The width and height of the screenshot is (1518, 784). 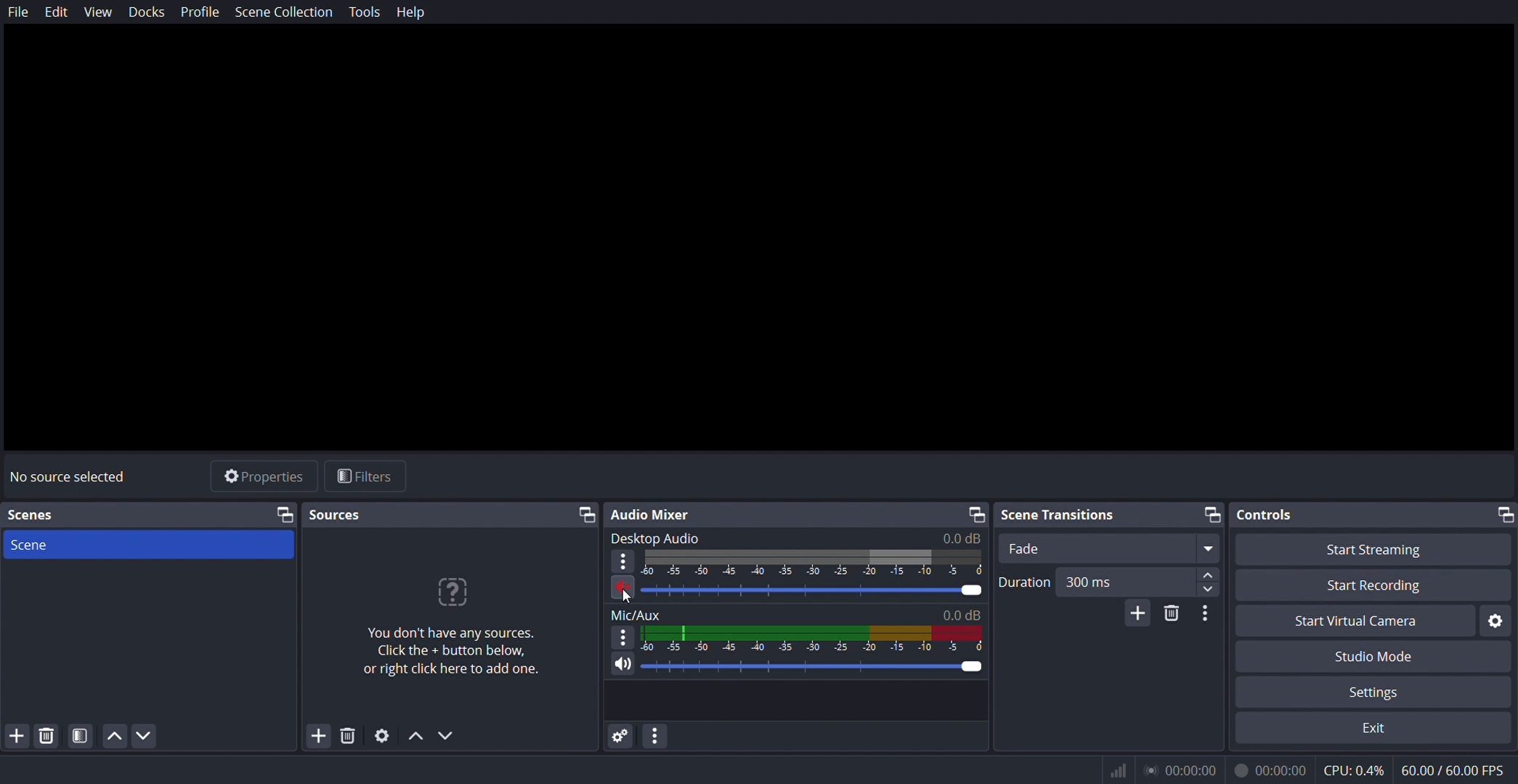 I want to click on add scene transitions, so click(x=1137, y=613).